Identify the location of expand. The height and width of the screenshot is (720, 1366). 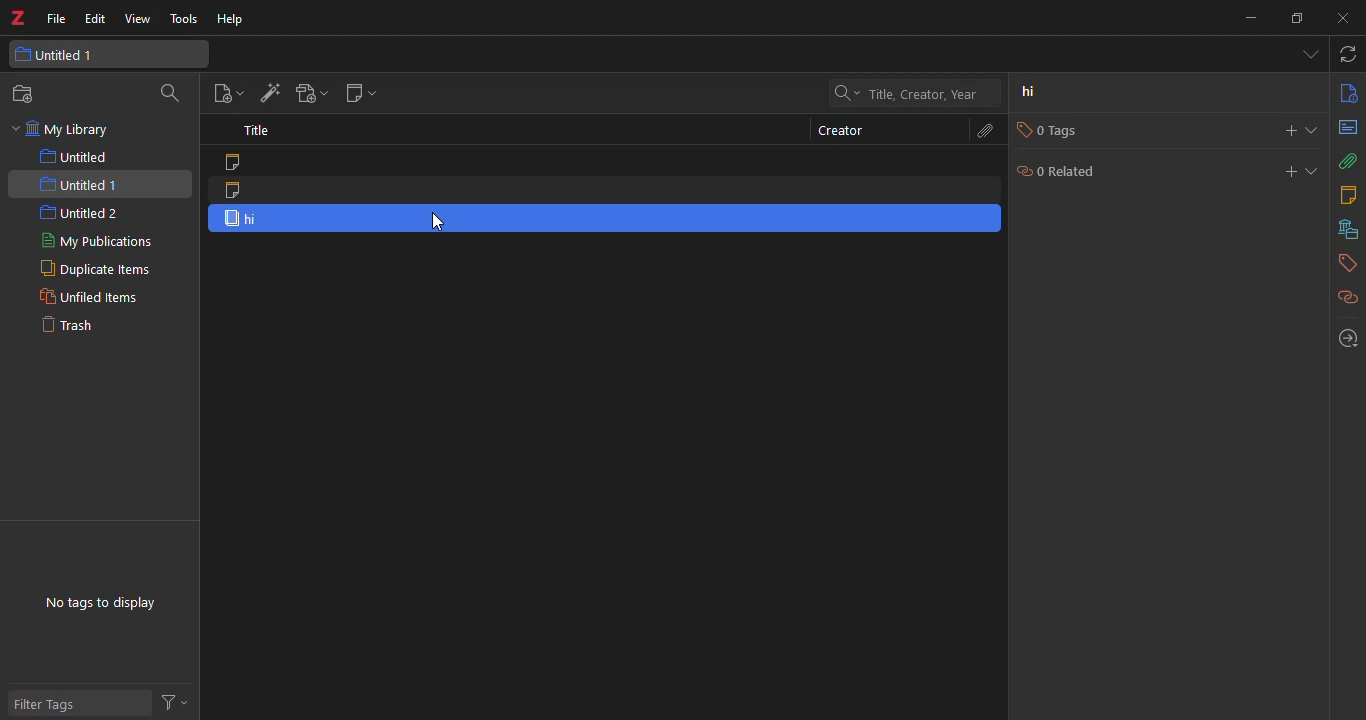
(1310, 130).